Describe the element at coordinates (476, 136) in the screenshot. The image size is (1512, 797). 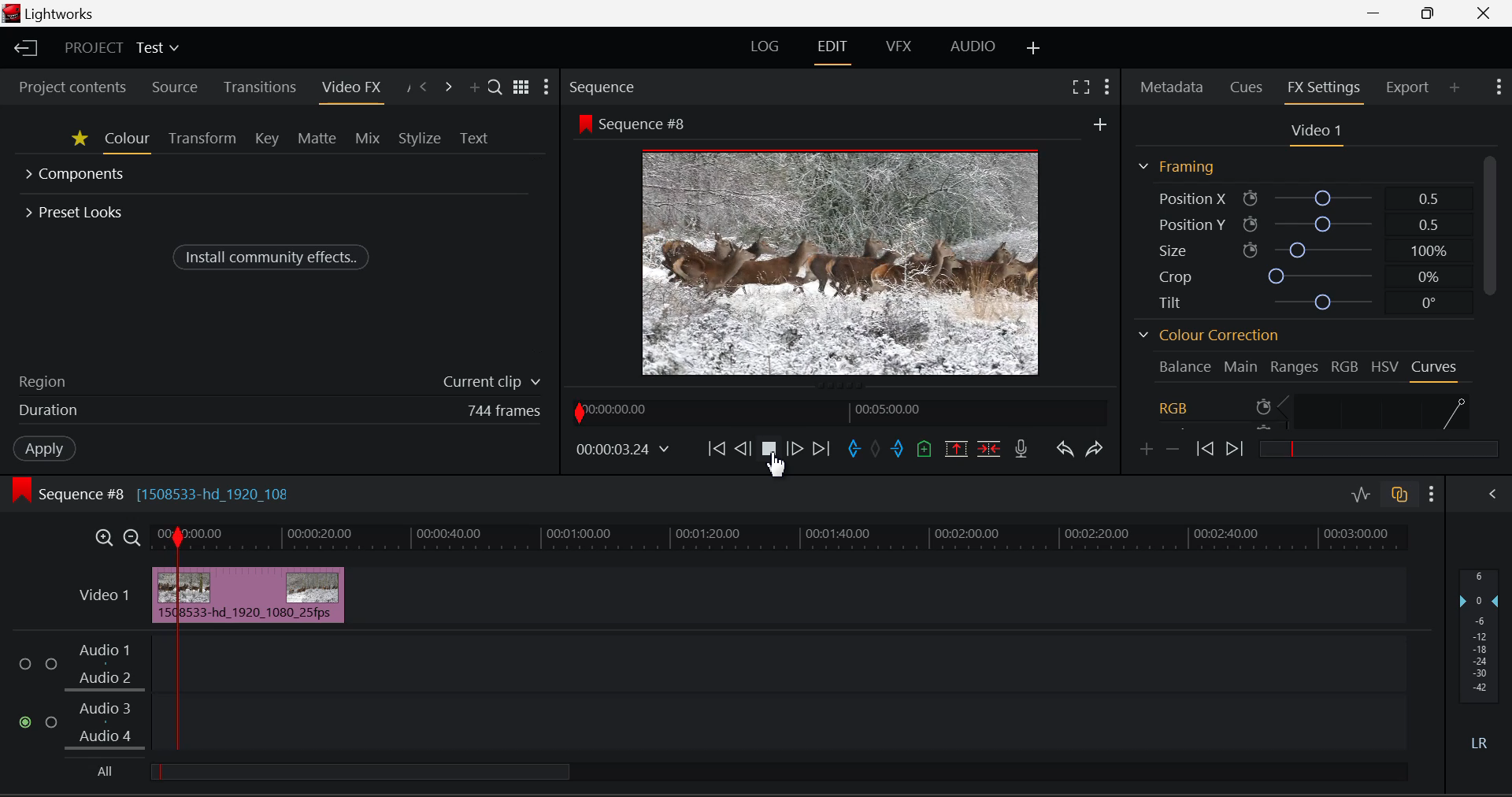
I see `Text` at that location.